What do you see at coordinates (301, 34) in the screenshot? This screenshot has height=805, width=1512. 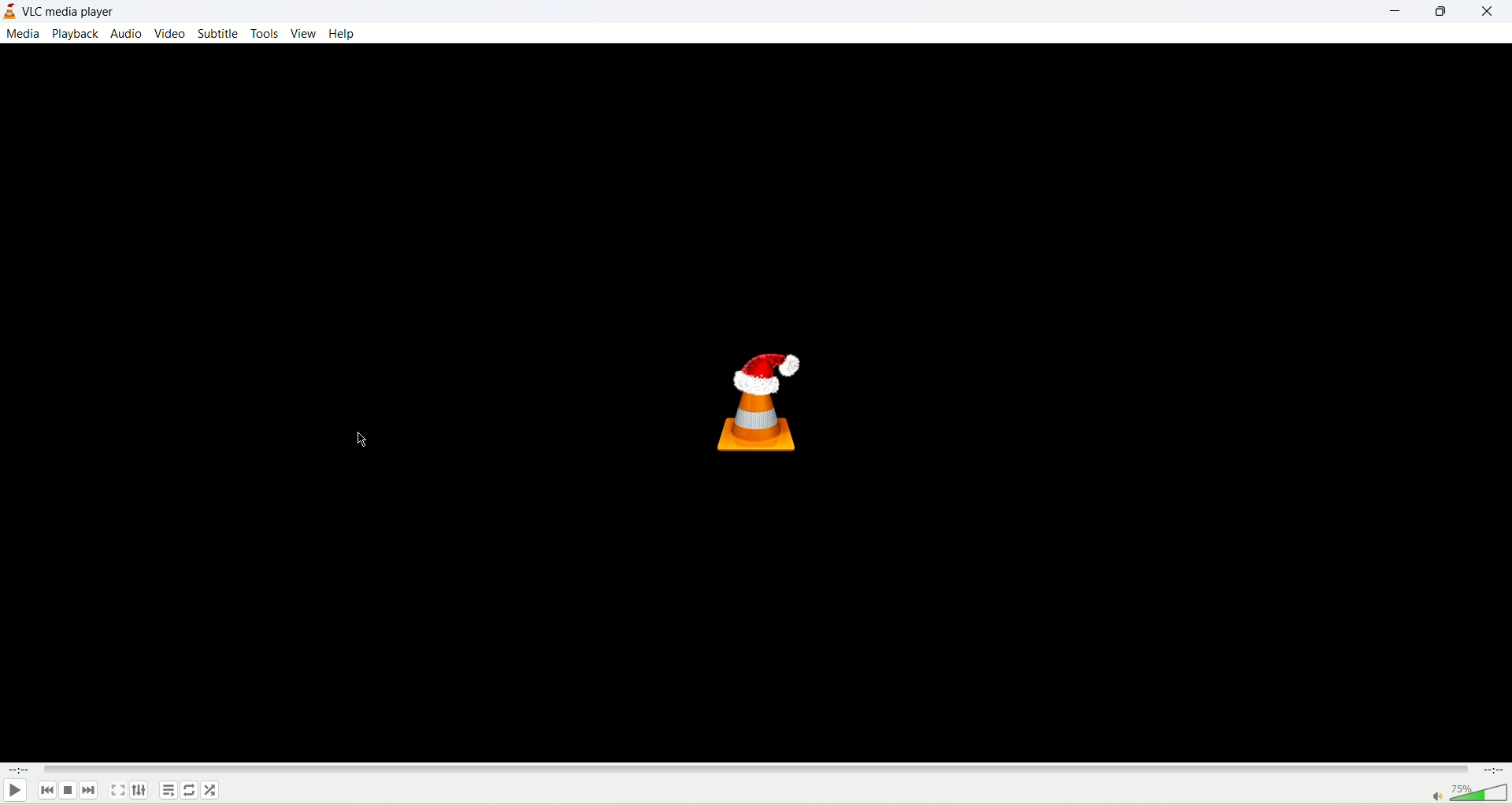 I see `view` at bounding box center [301, 34].